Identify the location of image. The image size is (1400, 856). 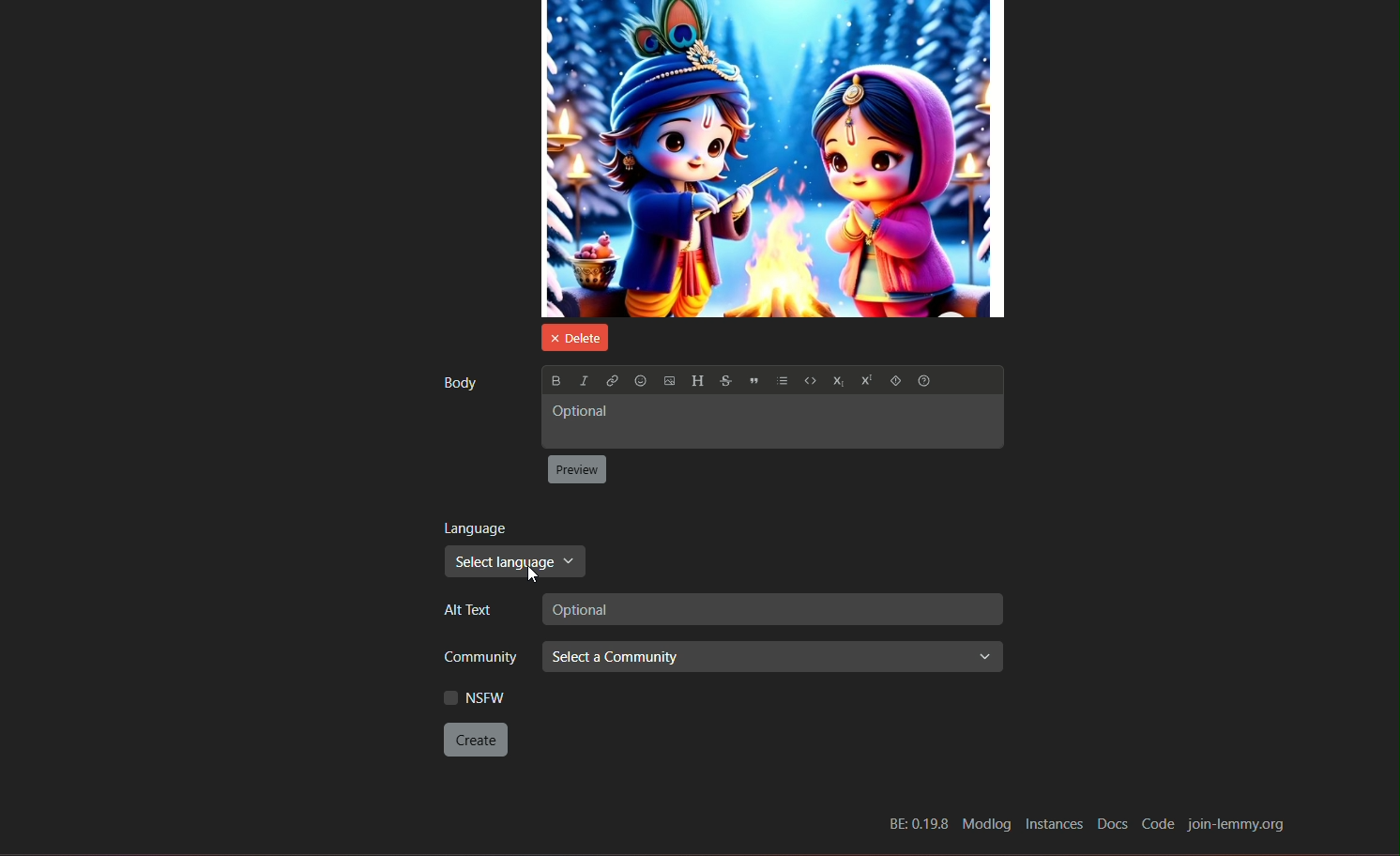
(773, 159).